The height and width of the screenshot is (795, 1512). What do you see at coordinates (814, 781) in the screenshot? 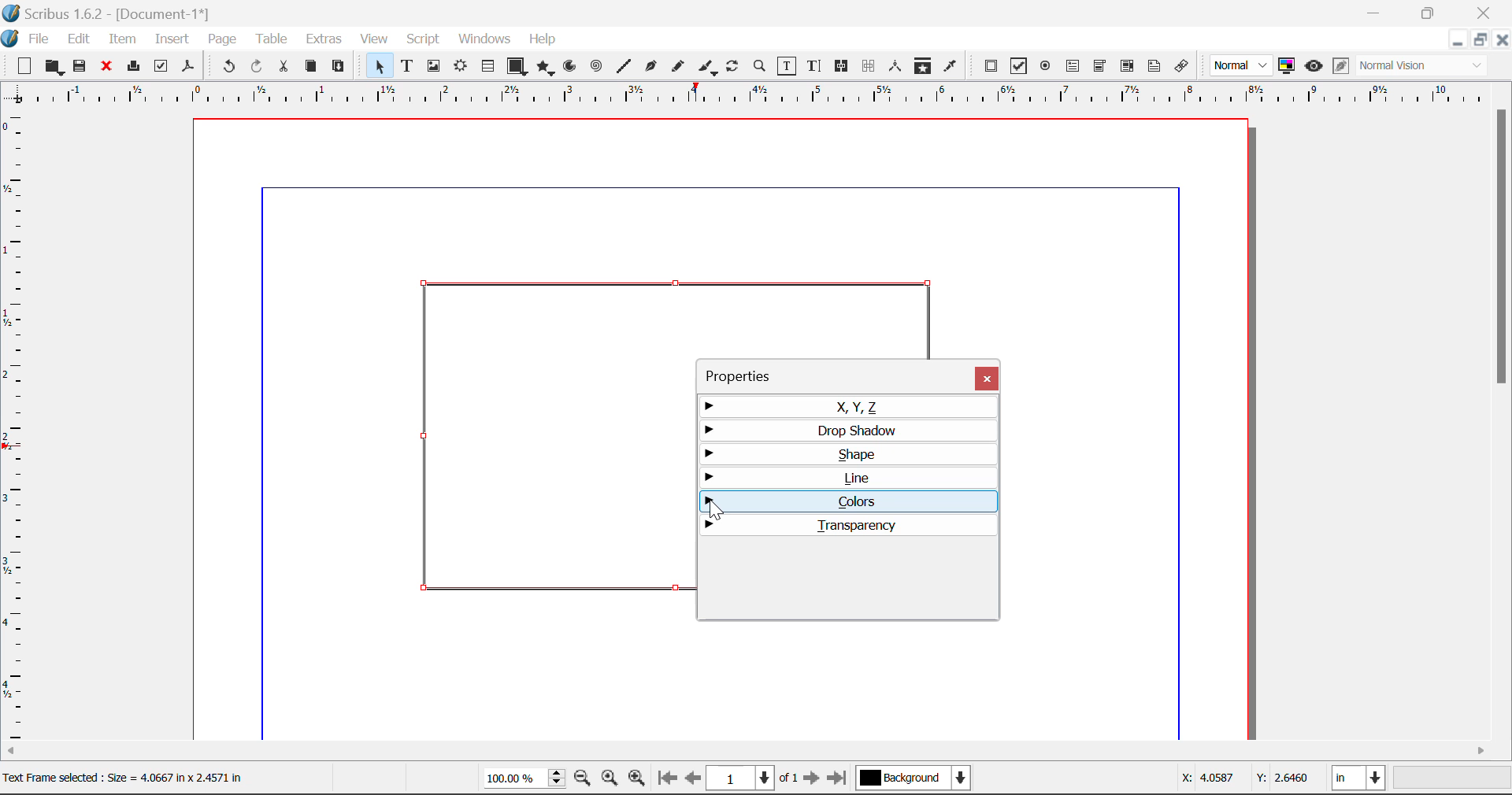
I see `Next Page` at bounding box center [814, 781].